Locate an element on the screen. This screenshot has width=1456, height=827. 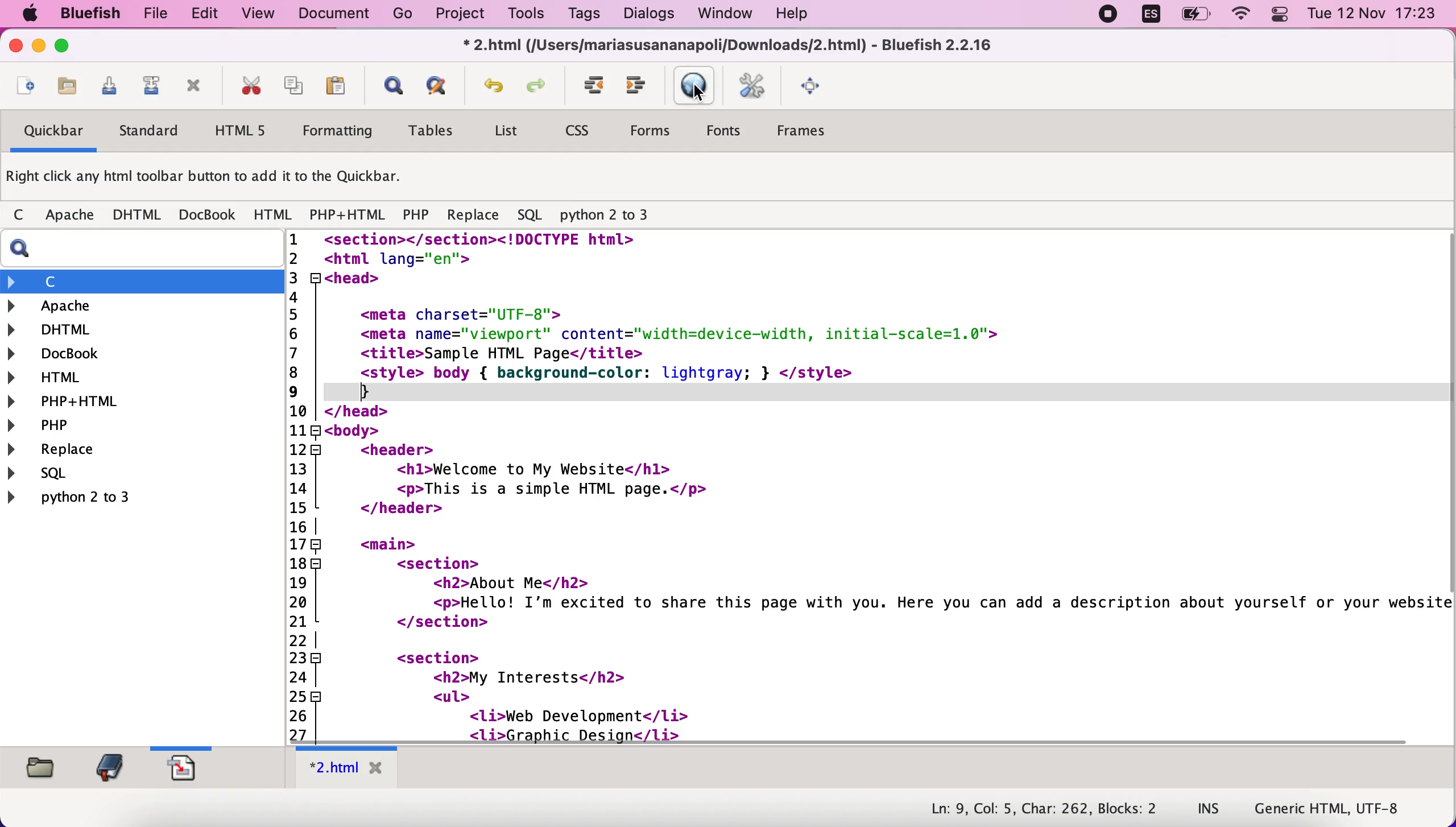
bluefish is located at coordinates (96, 15).